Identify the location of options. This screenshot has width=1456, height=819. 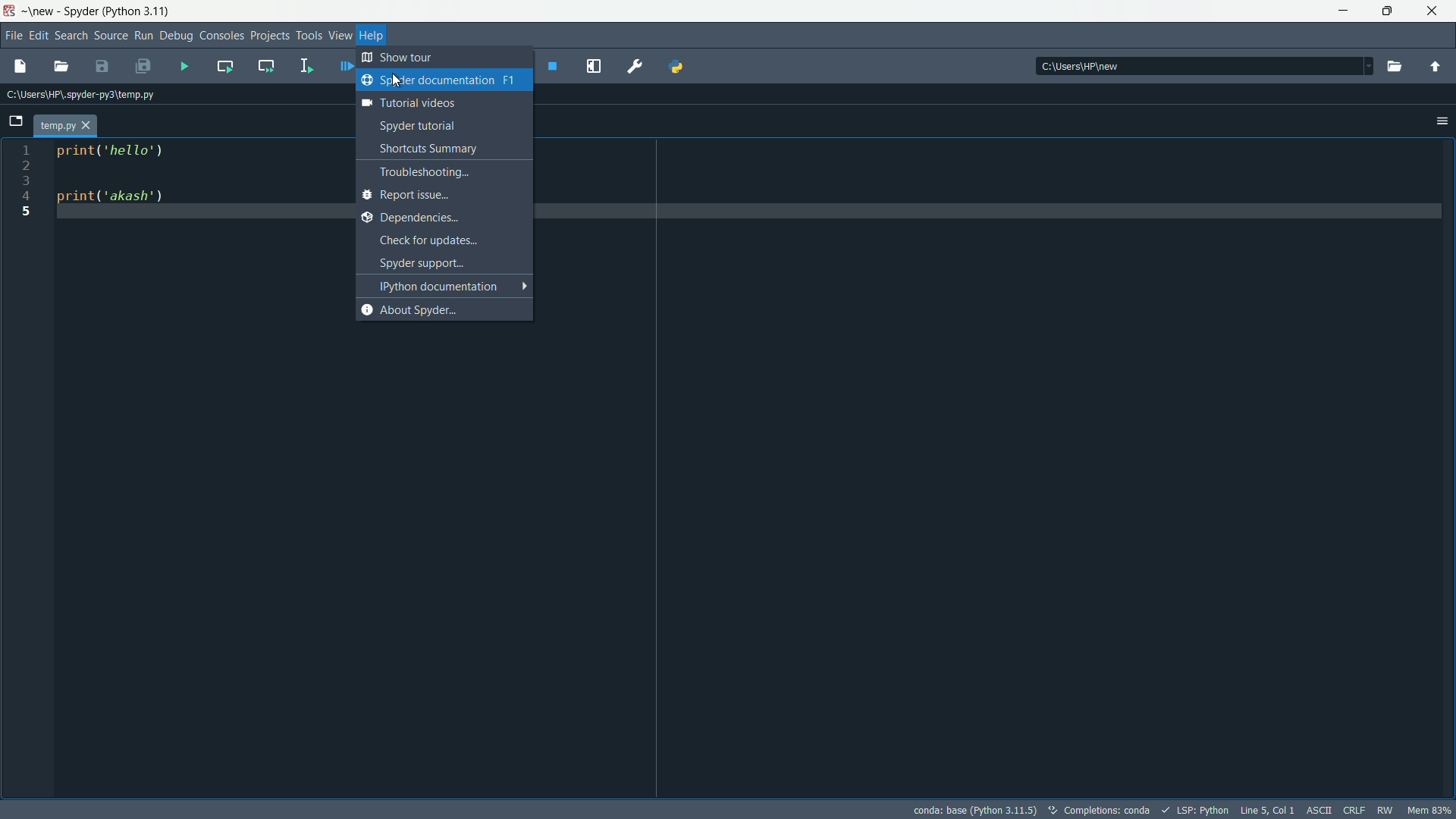
(1442, 121).